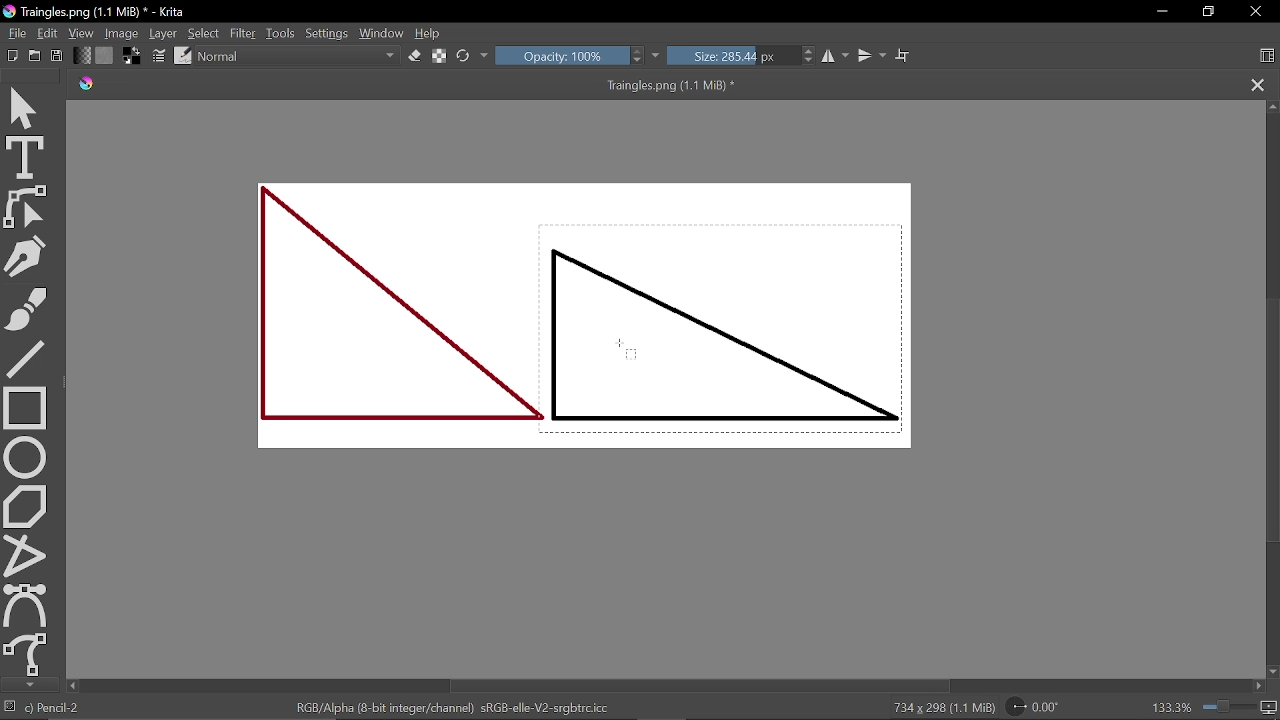  I want to click on Cursor, so click(632, 350).